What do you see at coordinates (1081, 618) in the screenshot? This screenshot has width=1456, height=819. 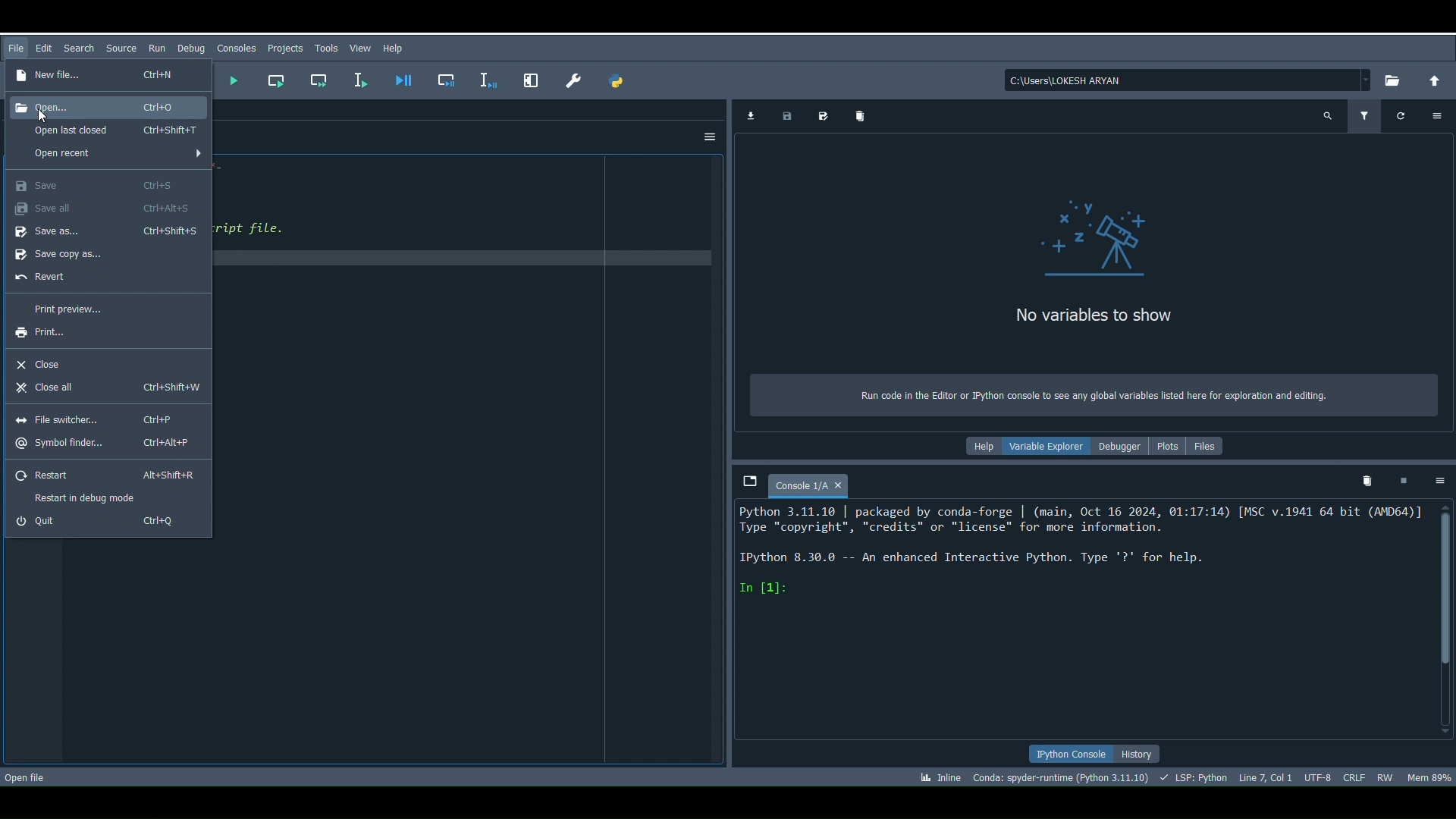 I see `Console editor` at bounding box center [1081, 618].